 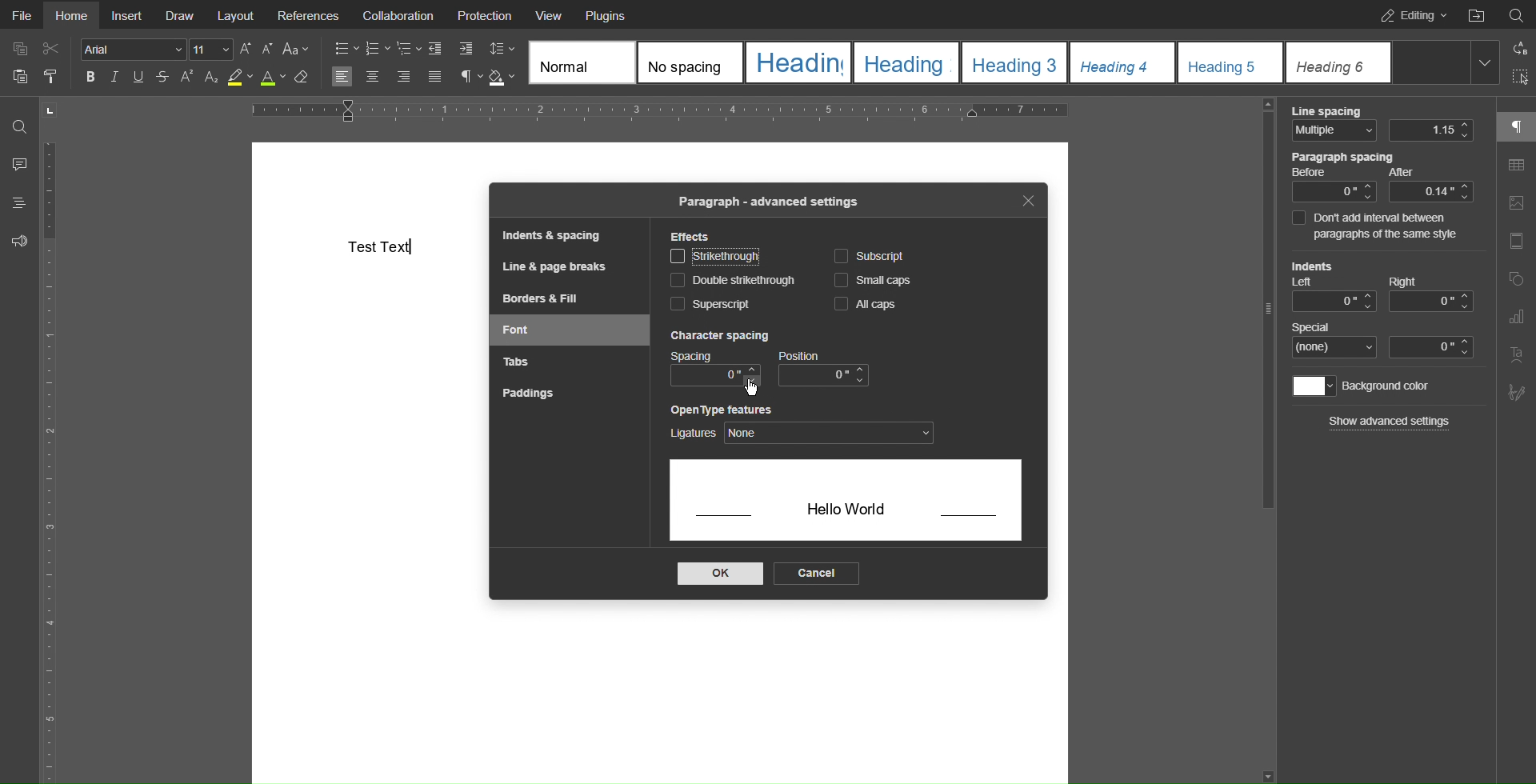 What do you see at coordinates (1364, 386) in the screenshot?
I see `Background` at bounding box center [1364, 386].